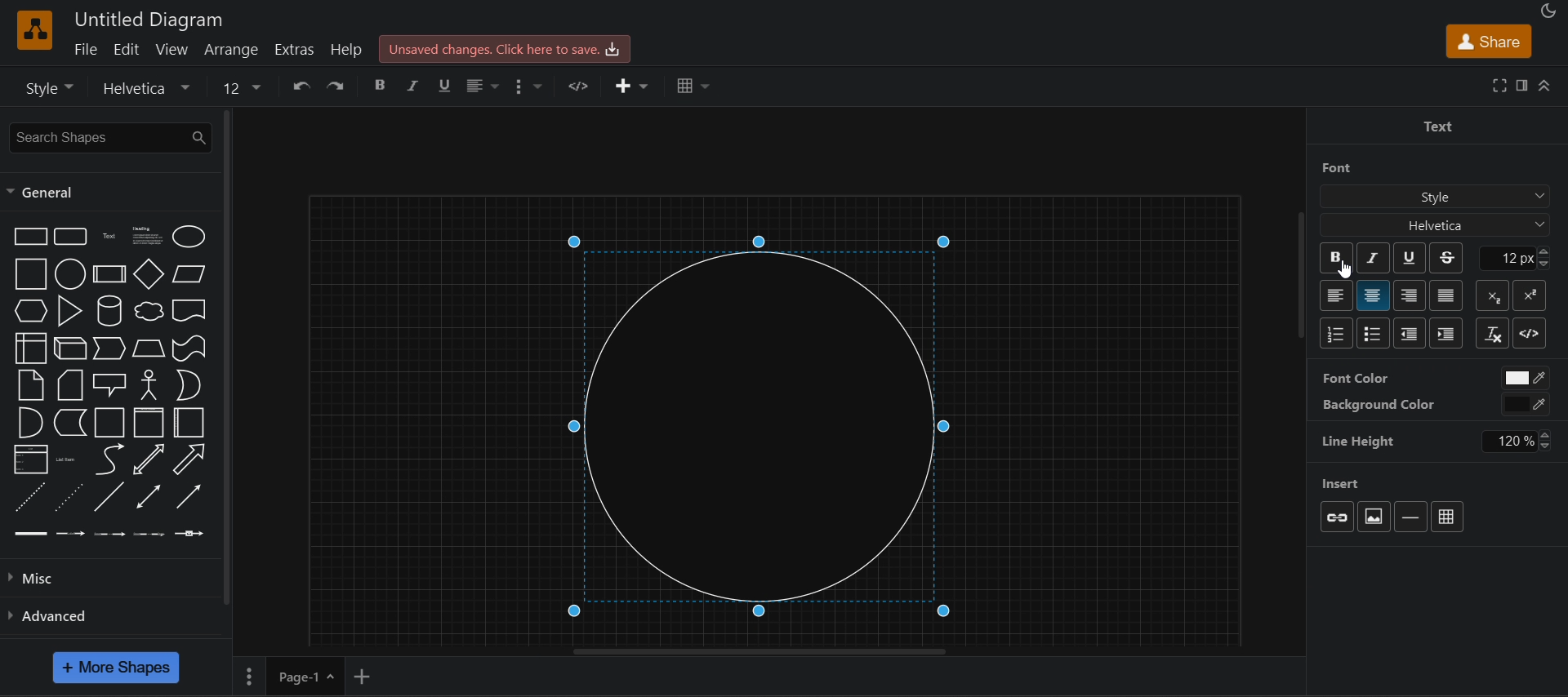  What do you see at coordinates (1388, 408) in the screenshot?
I see `background color ` at bounding box center [1388, 408].